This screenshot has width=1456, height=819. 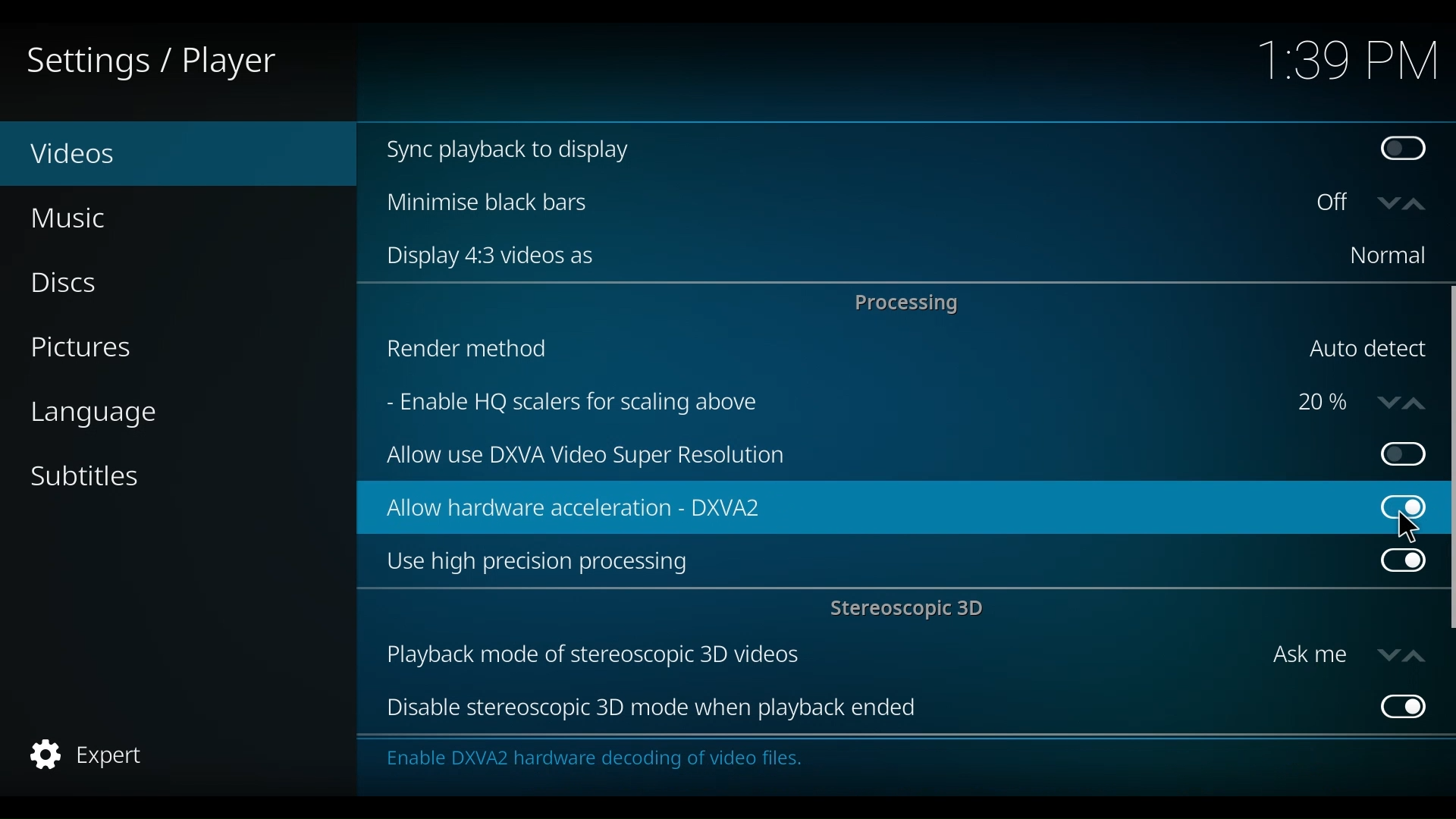 What do you see at coordinates (1414, 529) in the screenshot?
I see `Cursor` at bounding box center [1414, 529].